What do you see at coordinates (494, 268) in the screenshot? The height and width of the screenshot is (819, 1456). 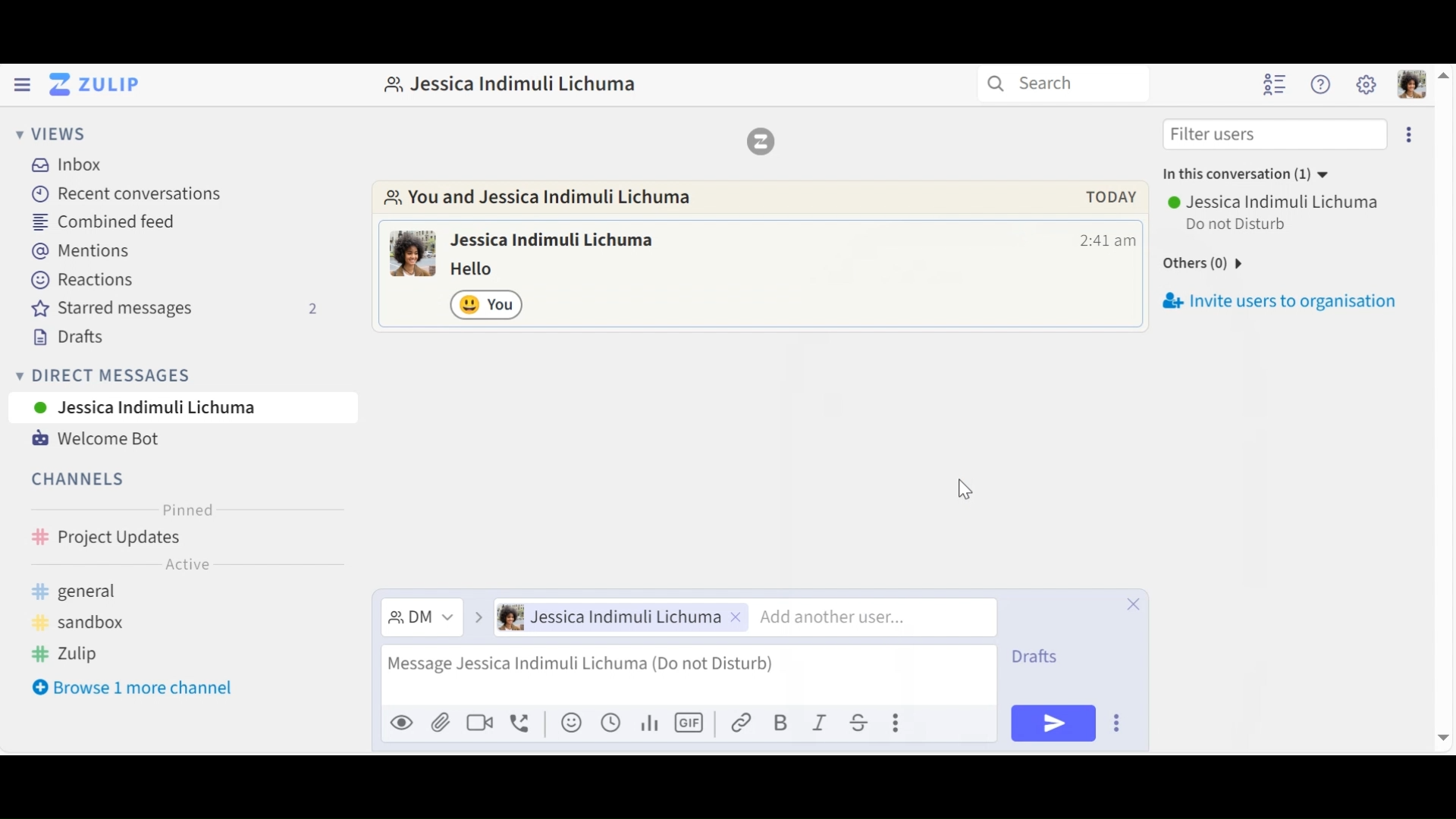 I see `message` at bounding box center [494, 268].